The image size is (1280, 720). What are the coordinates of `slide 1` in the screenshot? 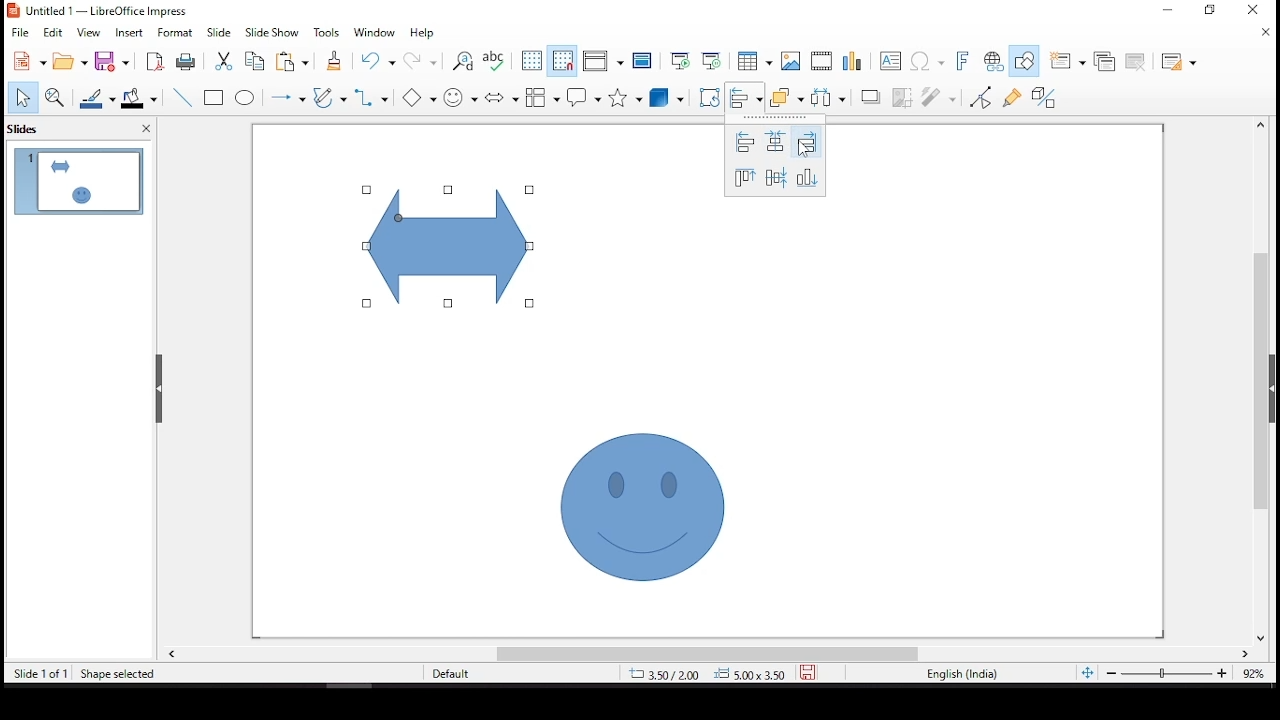 It's located at (79, 181).